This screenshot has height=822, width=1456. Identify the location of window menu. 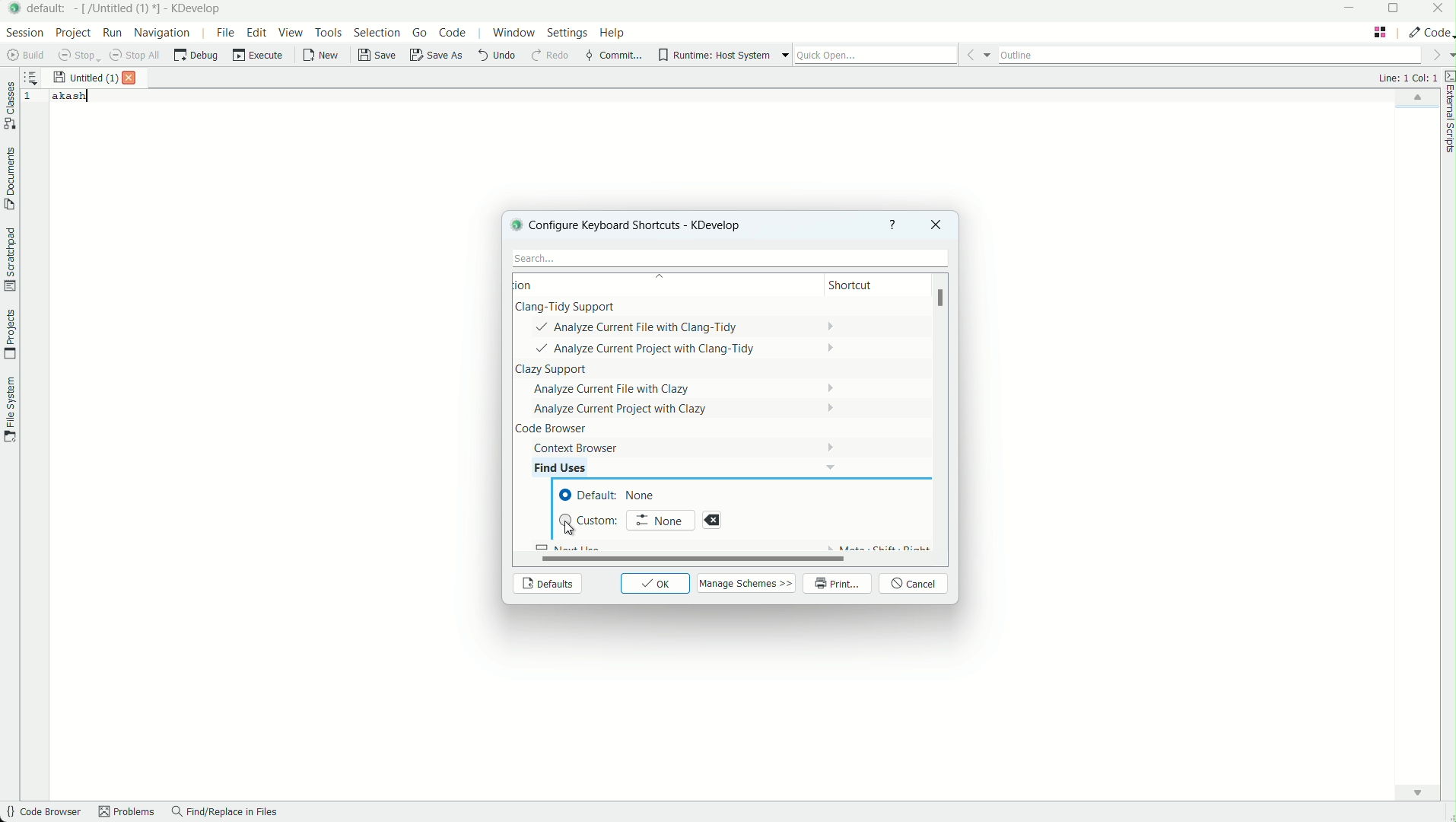
(513, 35).